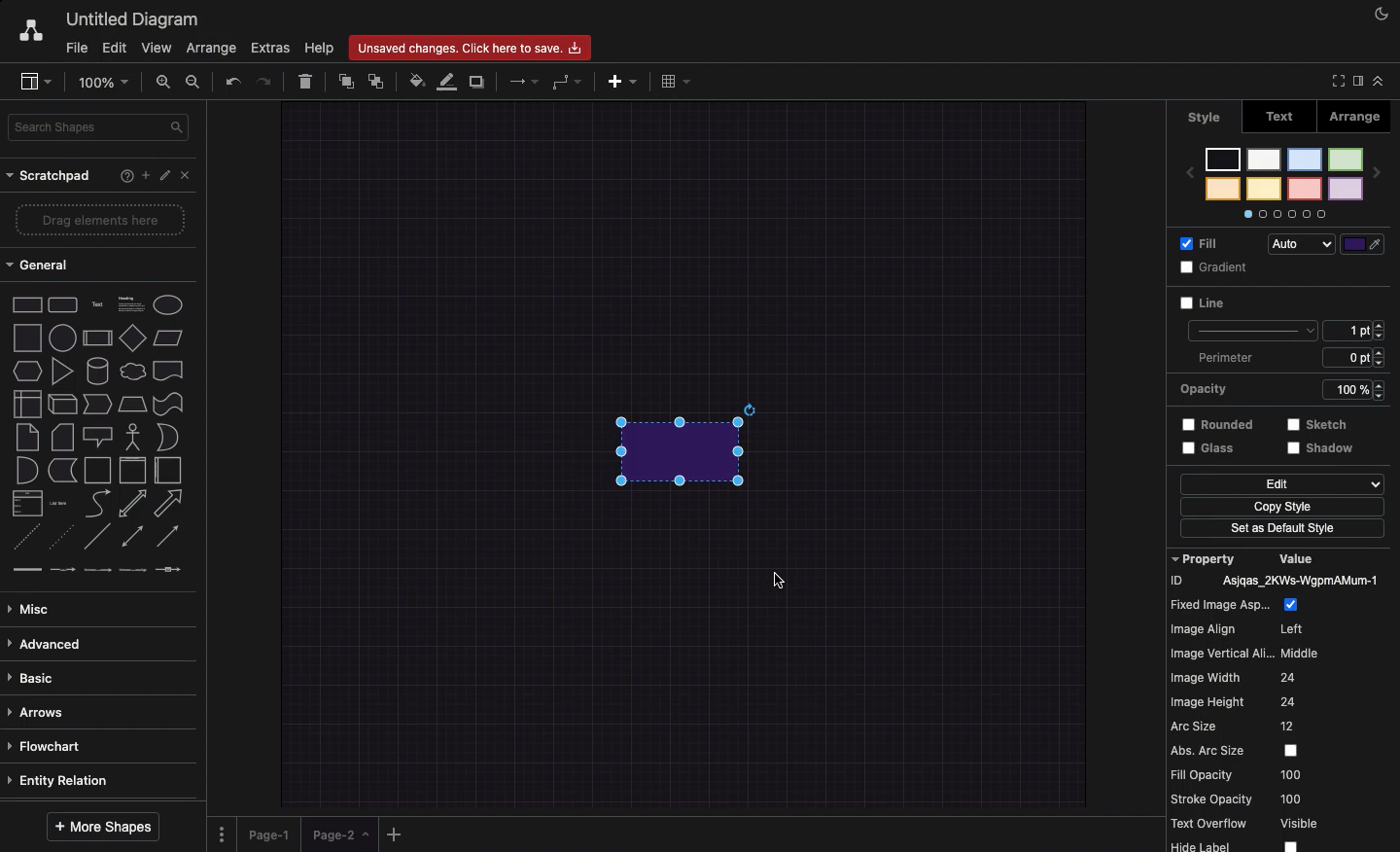  What do you see at coordinates (108, 81) in the screenshot?
I see `Zoom` at bounding box center [108, 81].